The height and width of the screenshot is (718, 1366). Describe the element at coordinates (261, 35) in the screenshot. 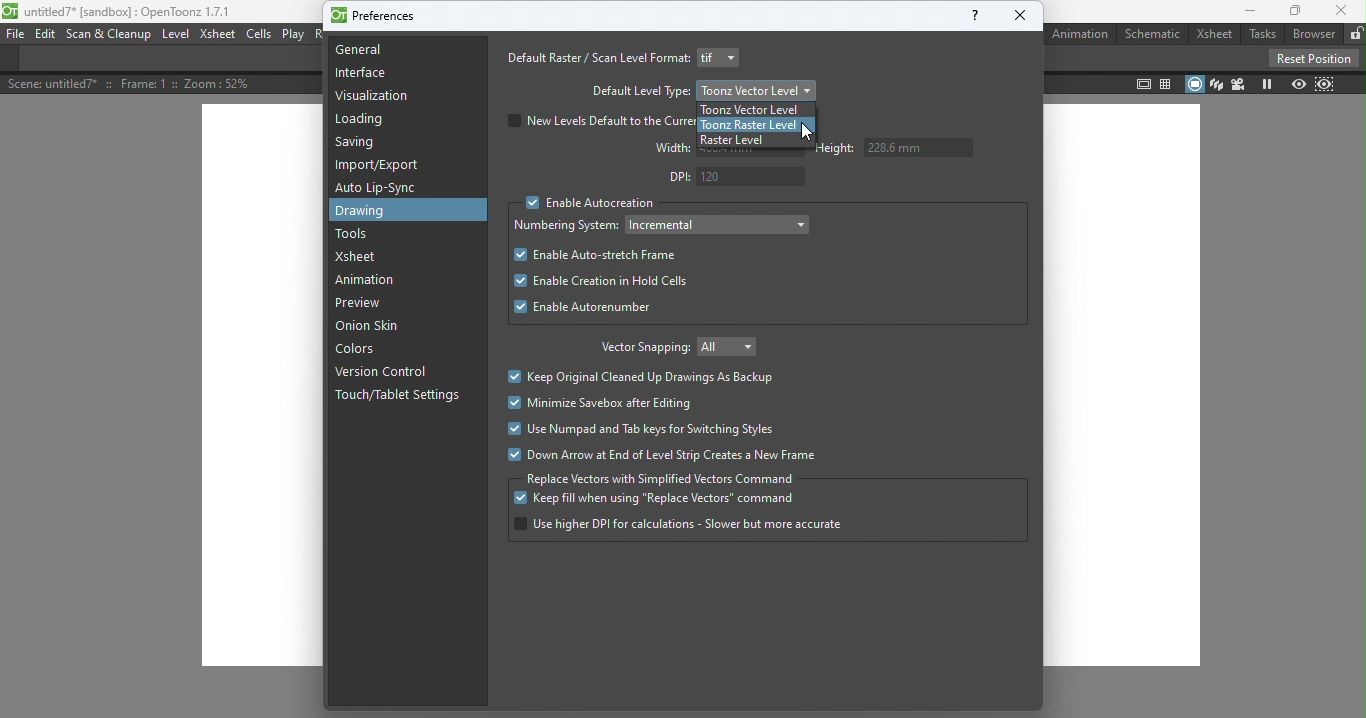

I see `Cells` at that location.